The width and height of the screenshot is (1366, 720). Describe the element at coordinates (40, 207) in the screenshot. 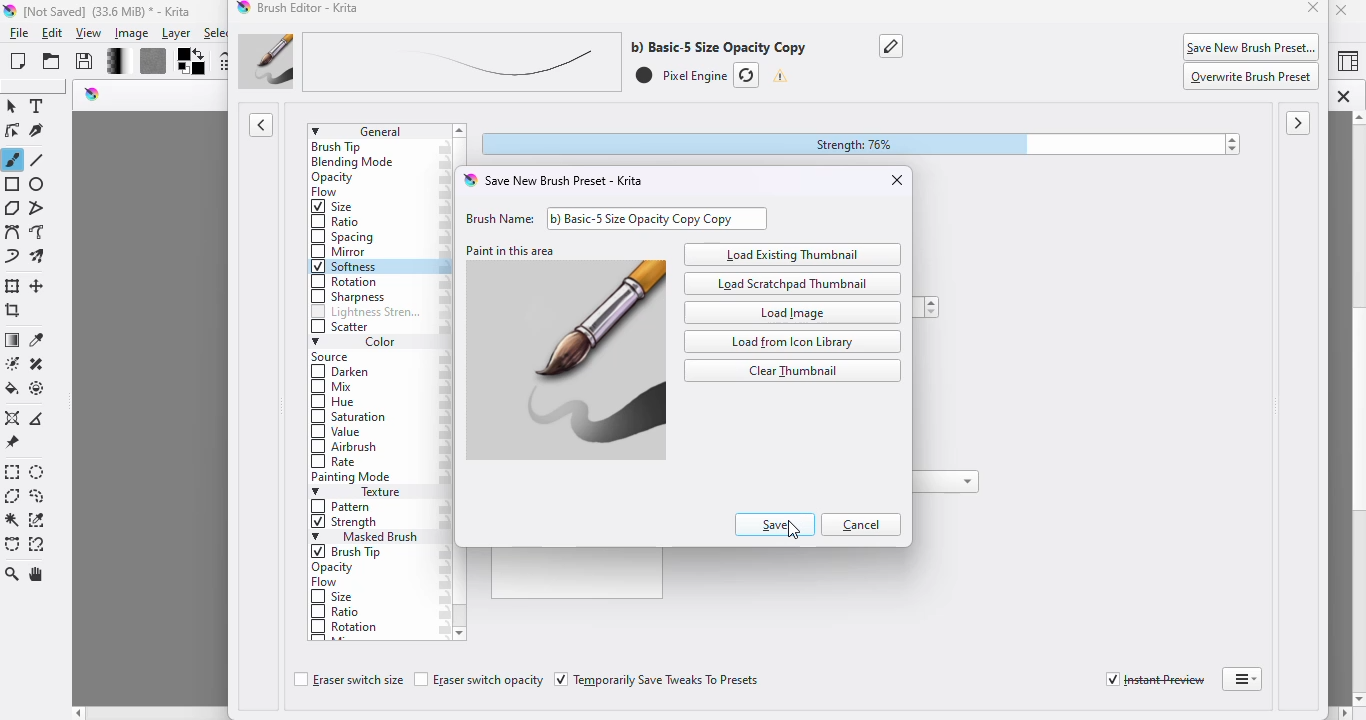

I see `polyline tool` at that location.